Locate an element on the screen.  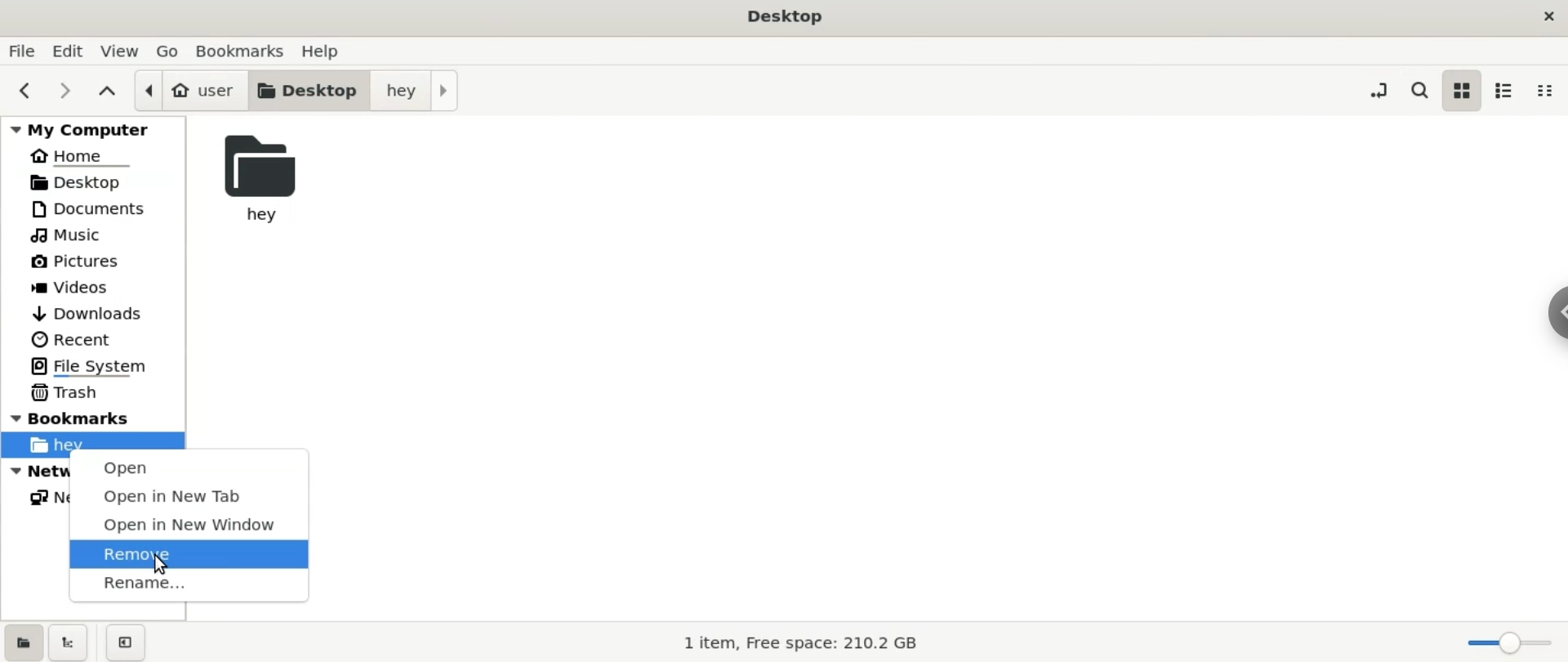
downloads is located at coordinates (90, 311).